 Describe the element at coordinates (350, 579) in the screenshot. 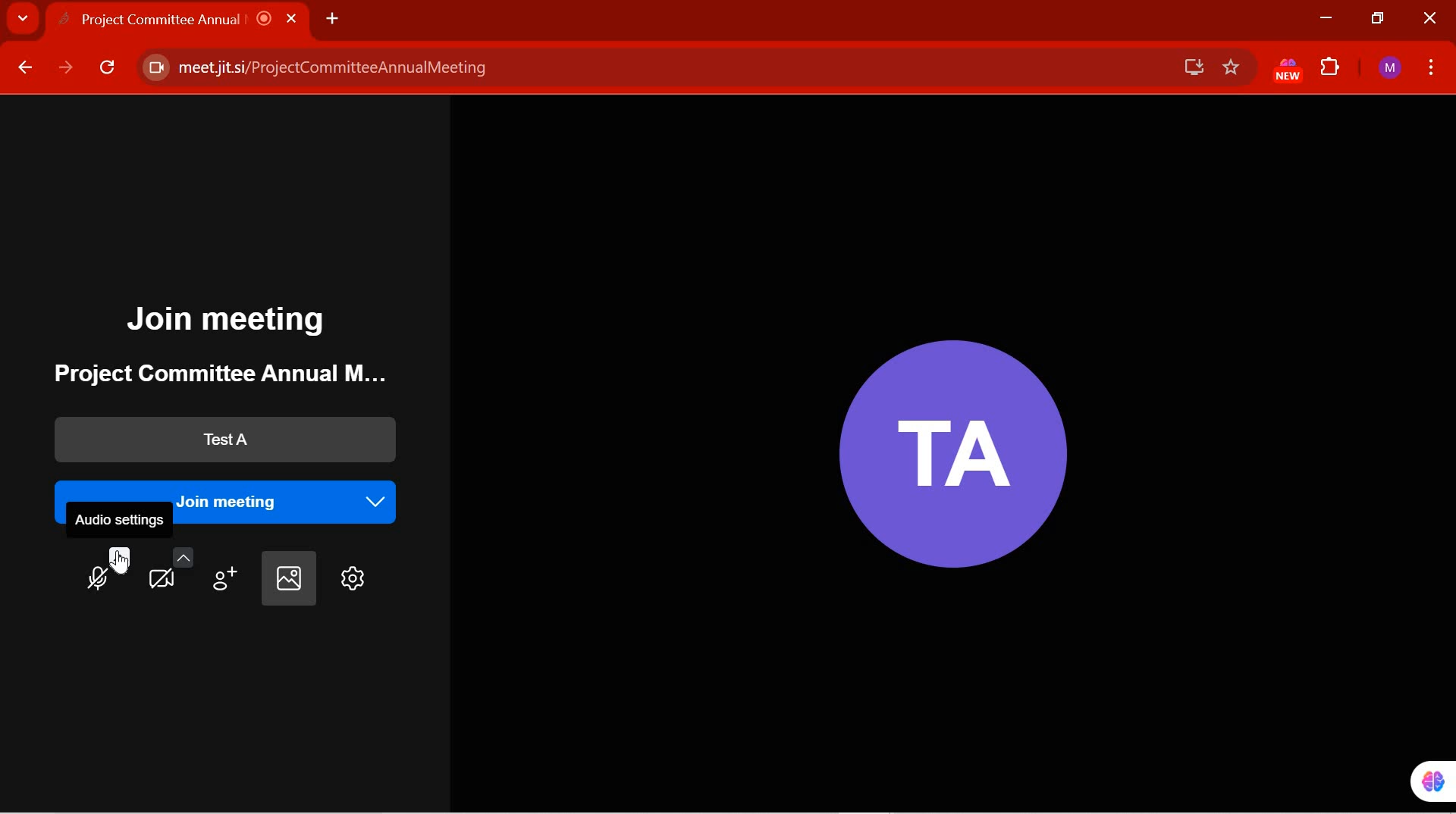

I see `settings` at that location.